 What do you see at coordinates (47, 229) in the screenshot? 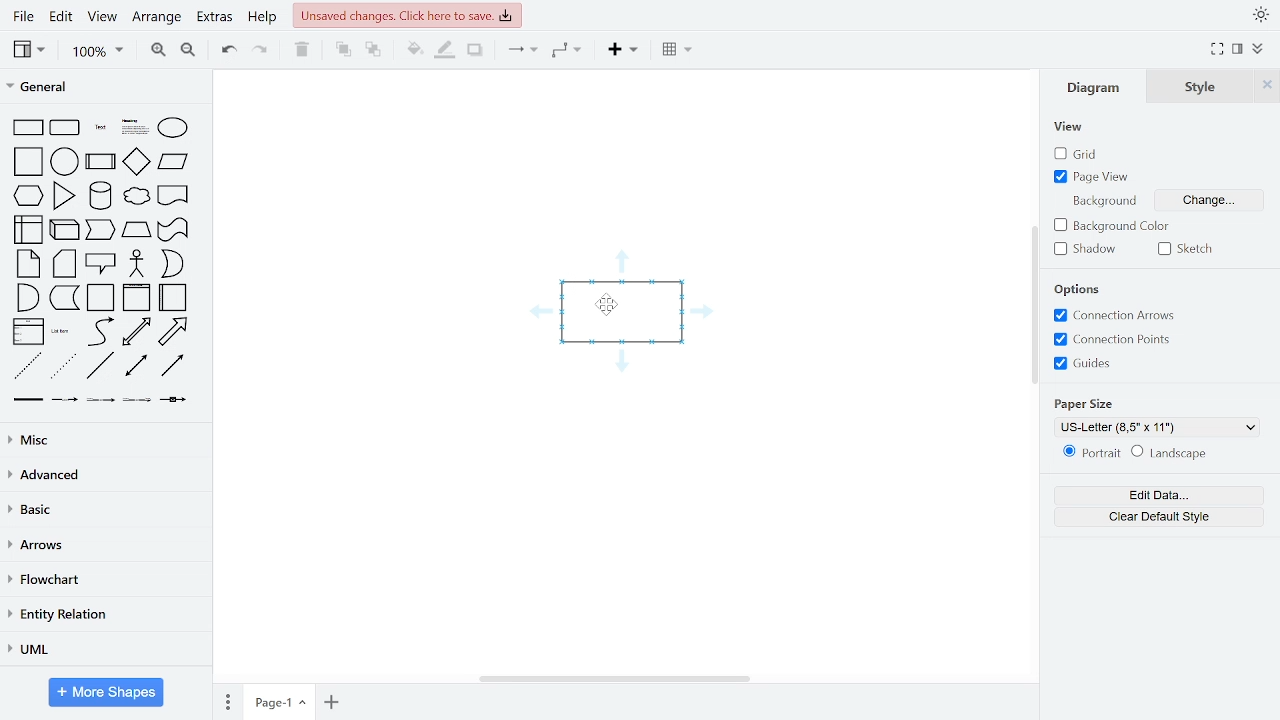
I see `internal storage` at bounding box center [47, 229].